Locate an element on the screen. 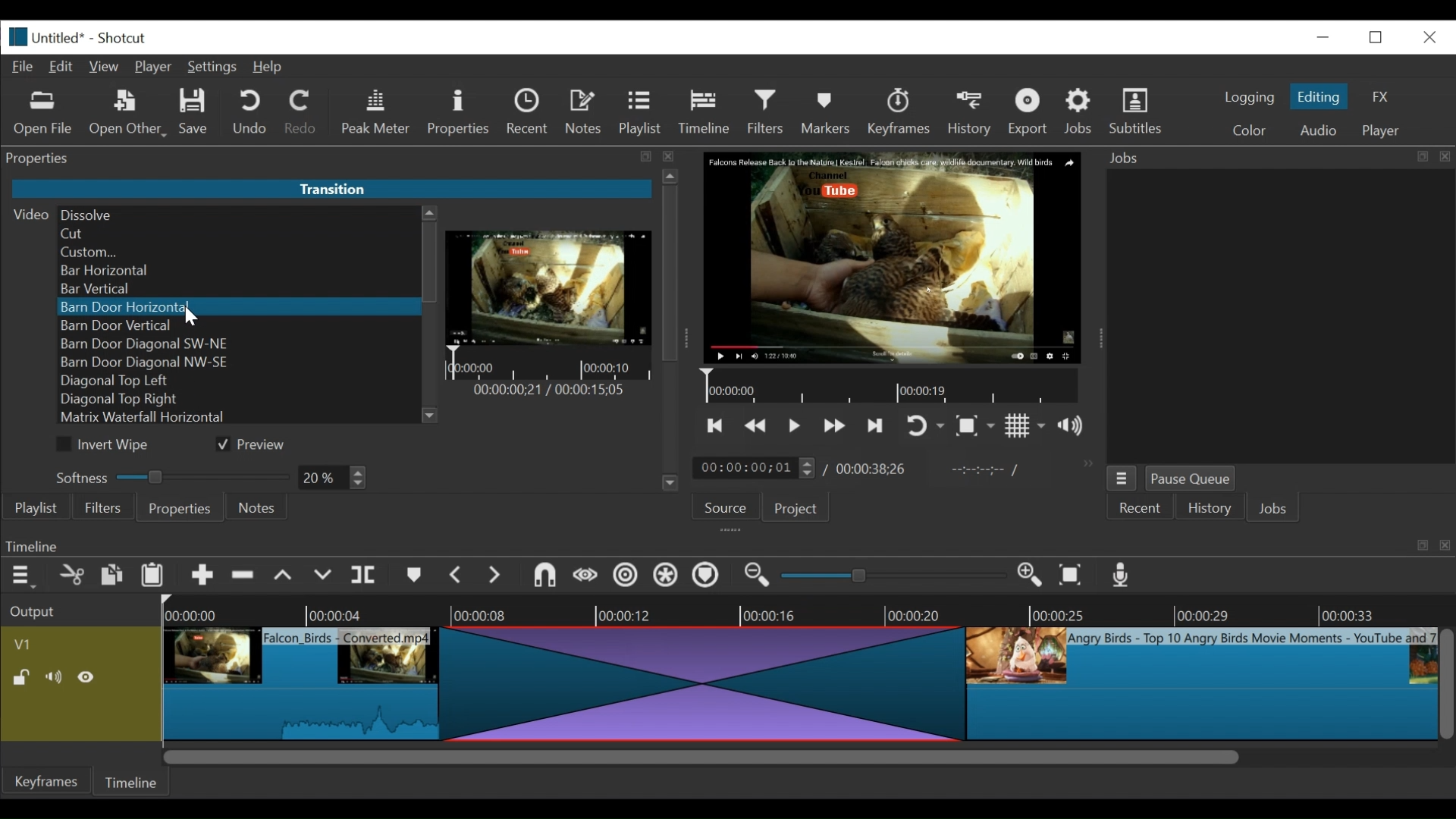 This screenshot has height=819, width=1456. Save is located at coordinates (194, 114).